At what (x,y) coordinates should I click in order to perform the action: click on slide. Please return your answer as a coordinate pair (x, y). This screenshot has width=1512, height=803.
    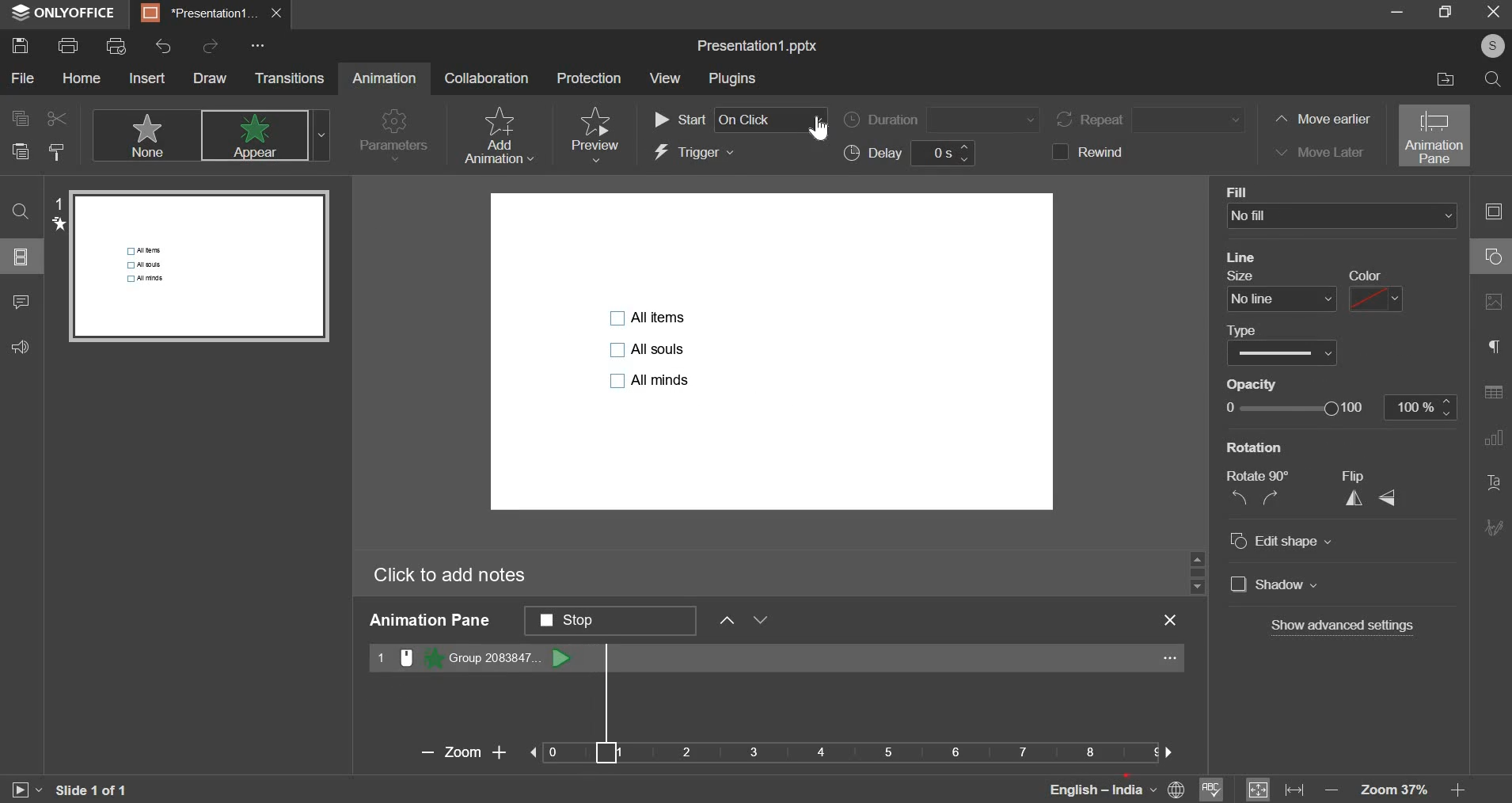
    Looking at the image, I should click on (23, 257).